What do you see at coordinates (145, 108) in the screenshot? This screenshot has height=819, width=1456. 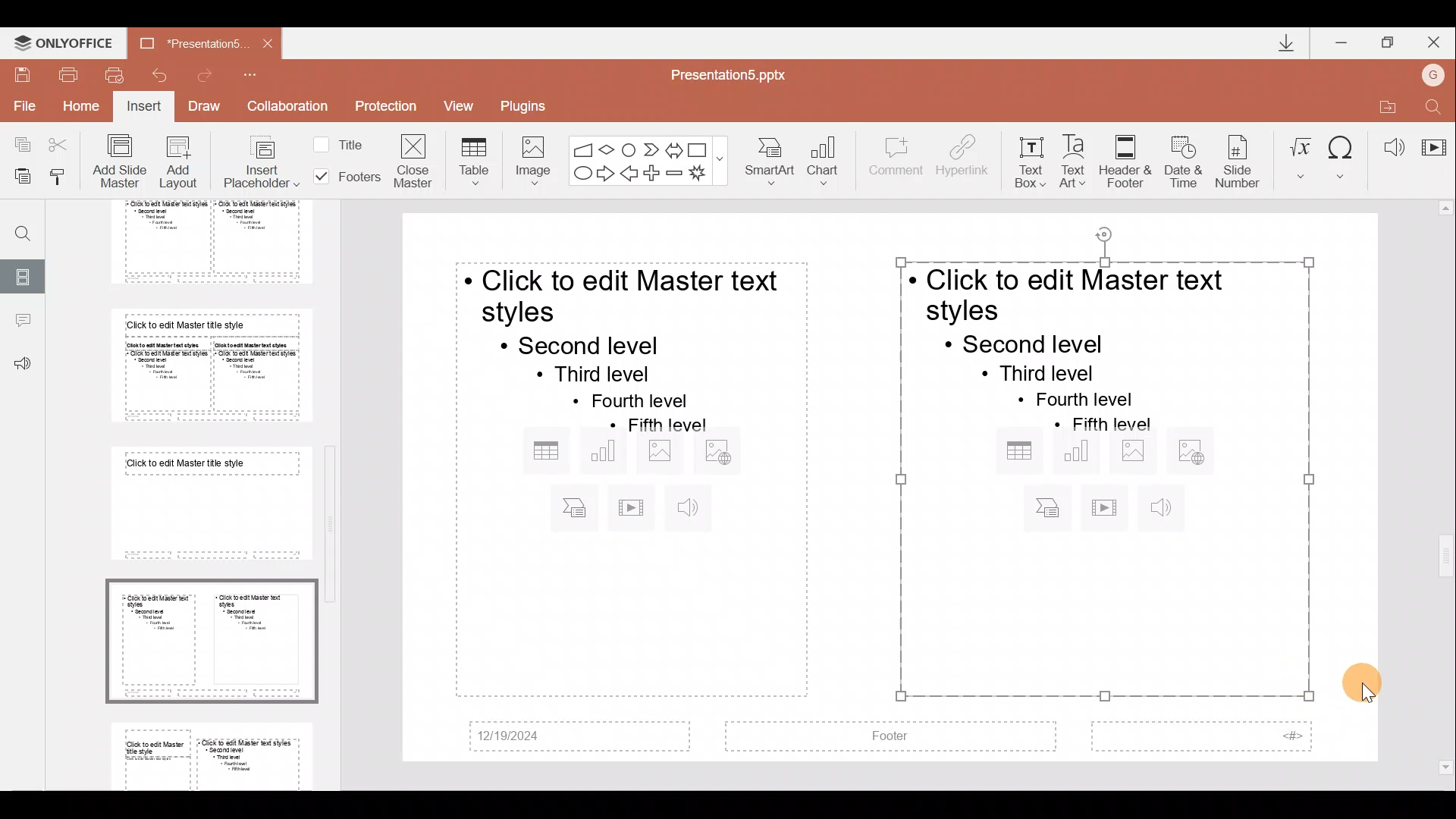 I see `Insert` at bounding box center [145, 108].